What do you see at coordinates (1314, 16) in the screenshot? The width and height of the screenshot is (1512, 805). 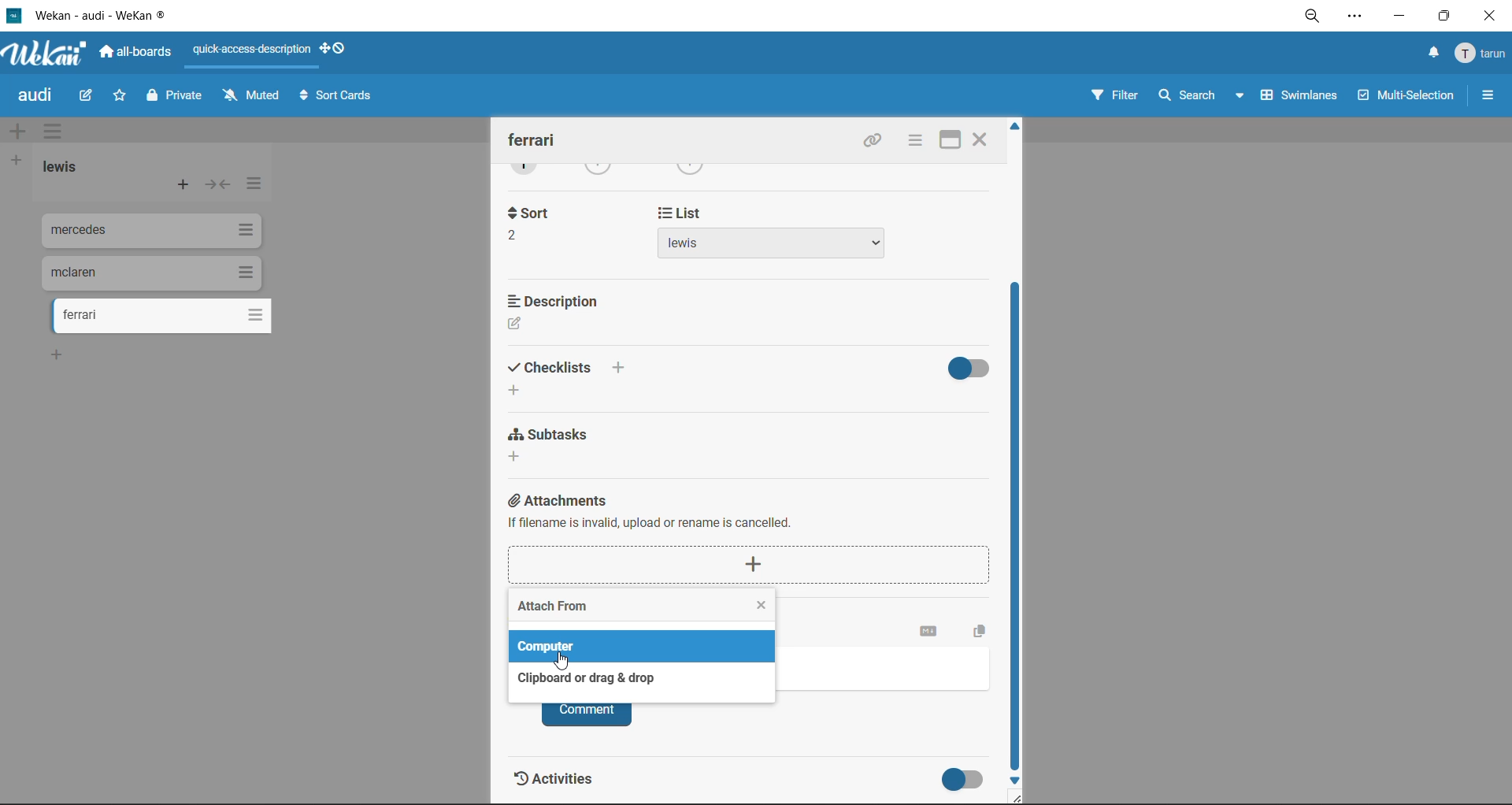 I see `zoom` at bounding box center [1314, 16].